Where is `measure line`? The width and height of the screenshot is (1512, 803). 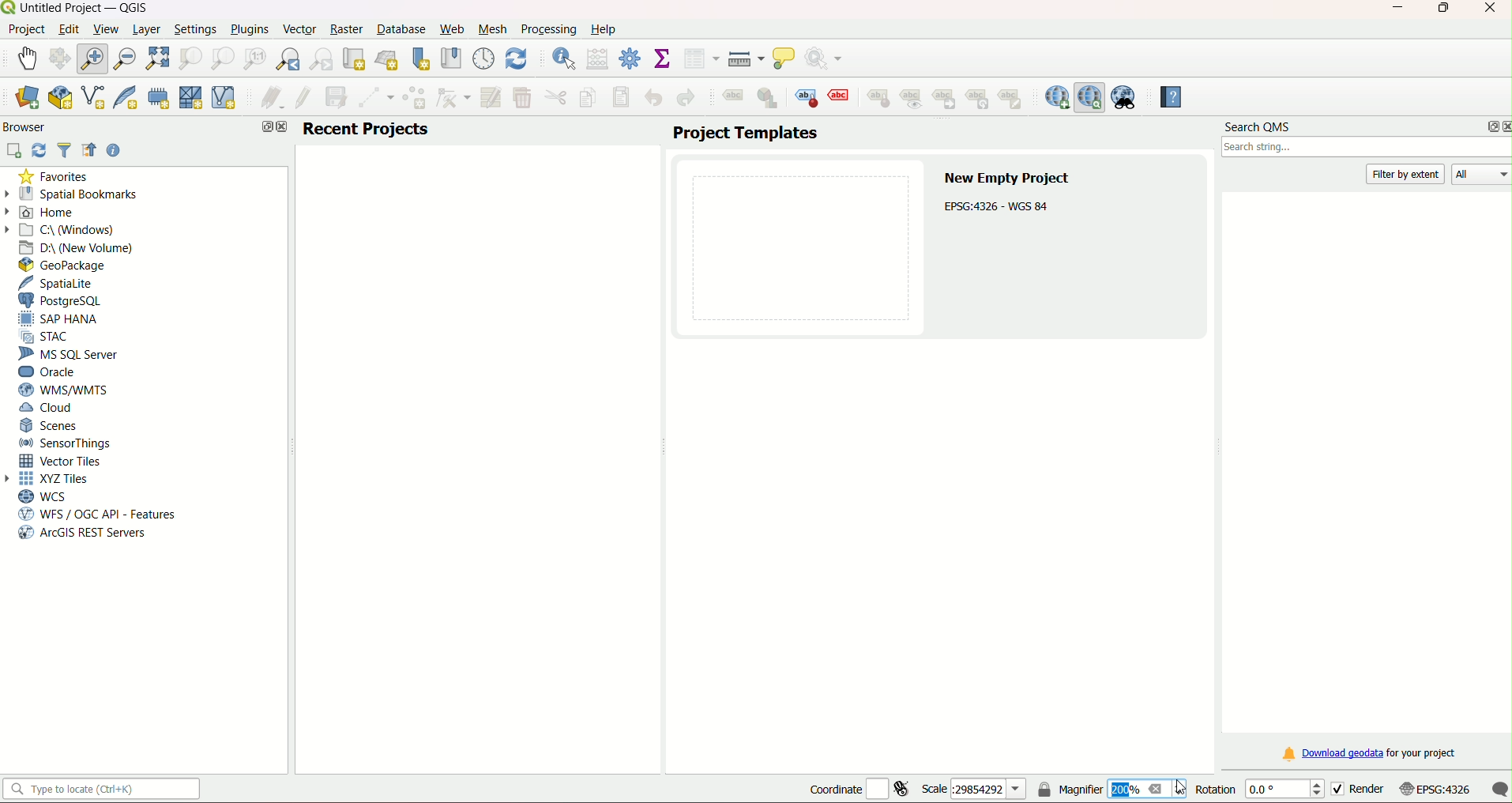
measure line is located at coordinates (746, 59).